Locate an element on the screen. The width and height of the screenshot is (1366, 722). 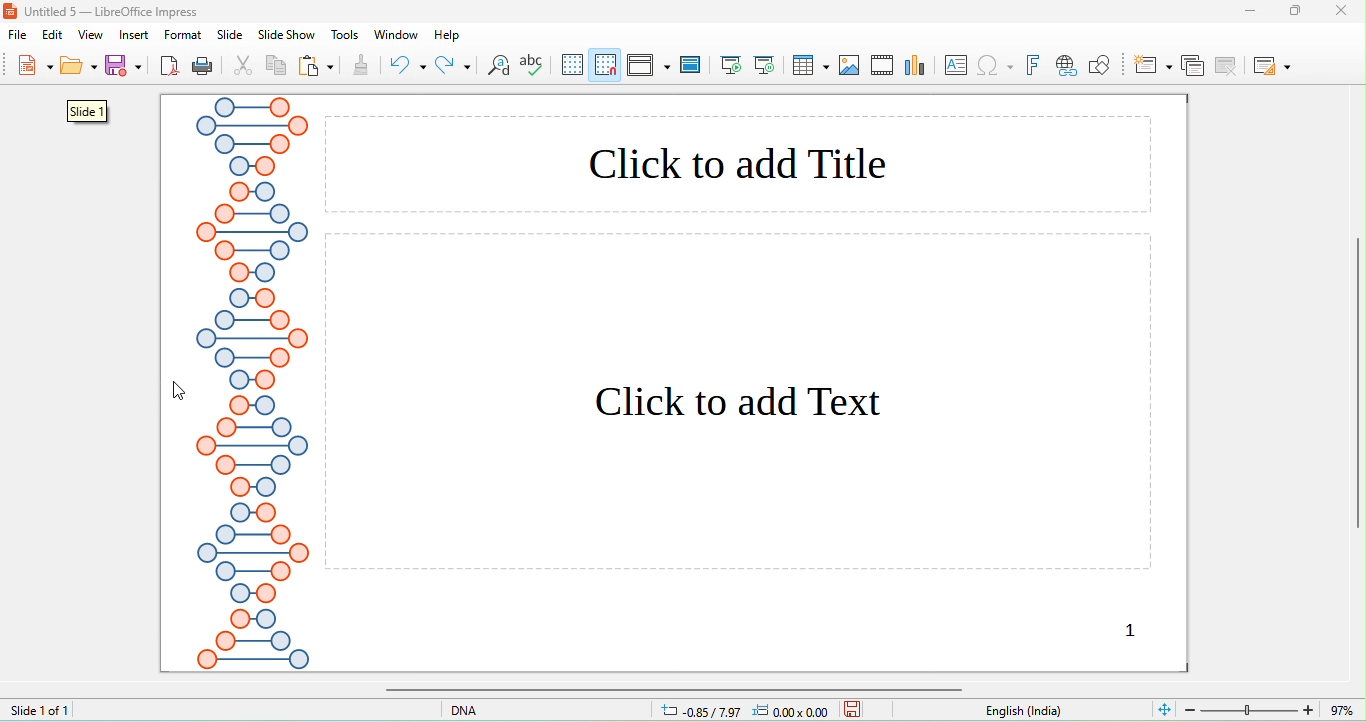
slideshow is located at coordinates (285, 36).